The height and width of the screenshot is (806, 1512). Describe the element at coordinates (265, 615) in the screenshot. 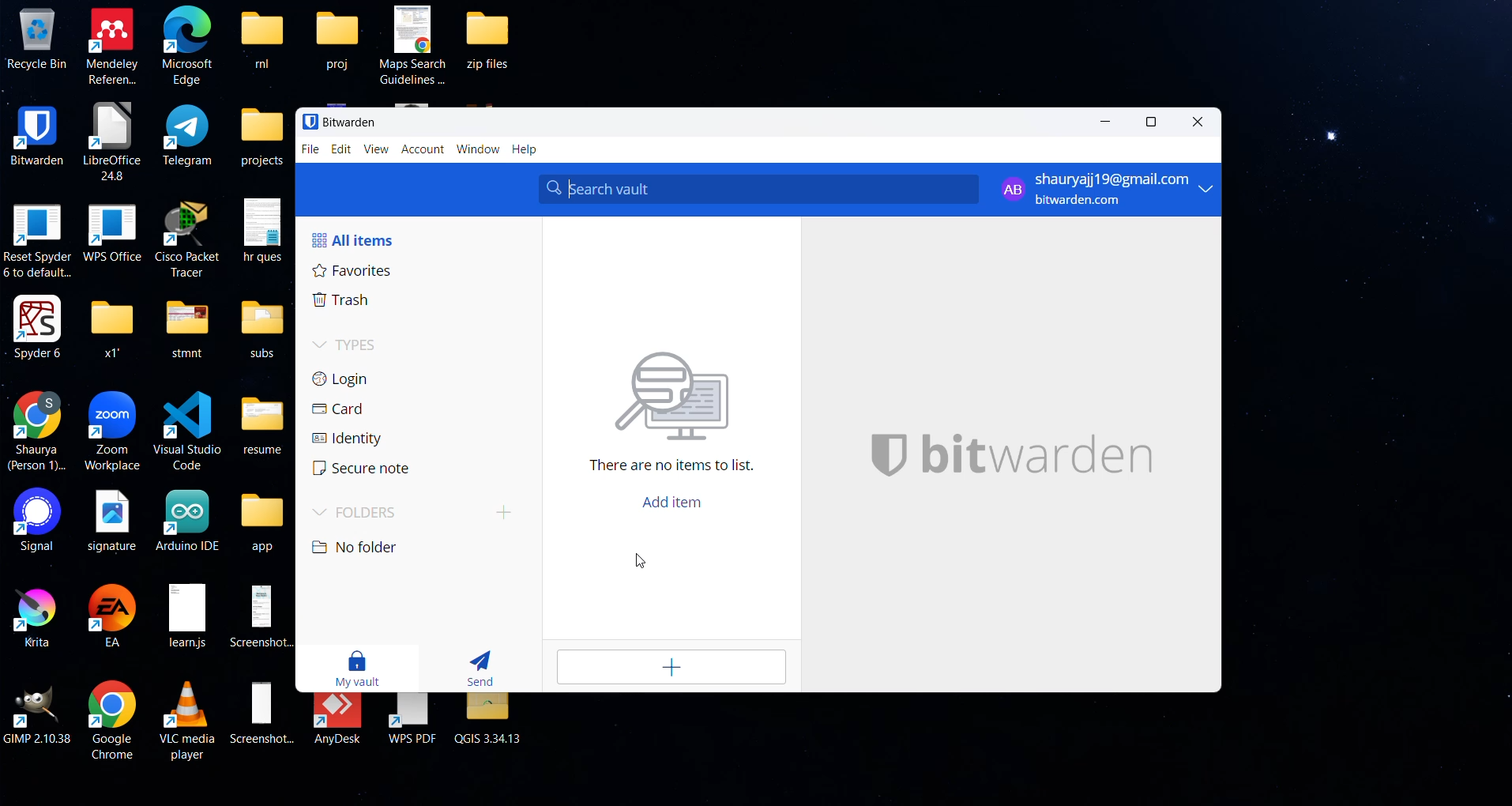

I see `Screenshot...` at that location.